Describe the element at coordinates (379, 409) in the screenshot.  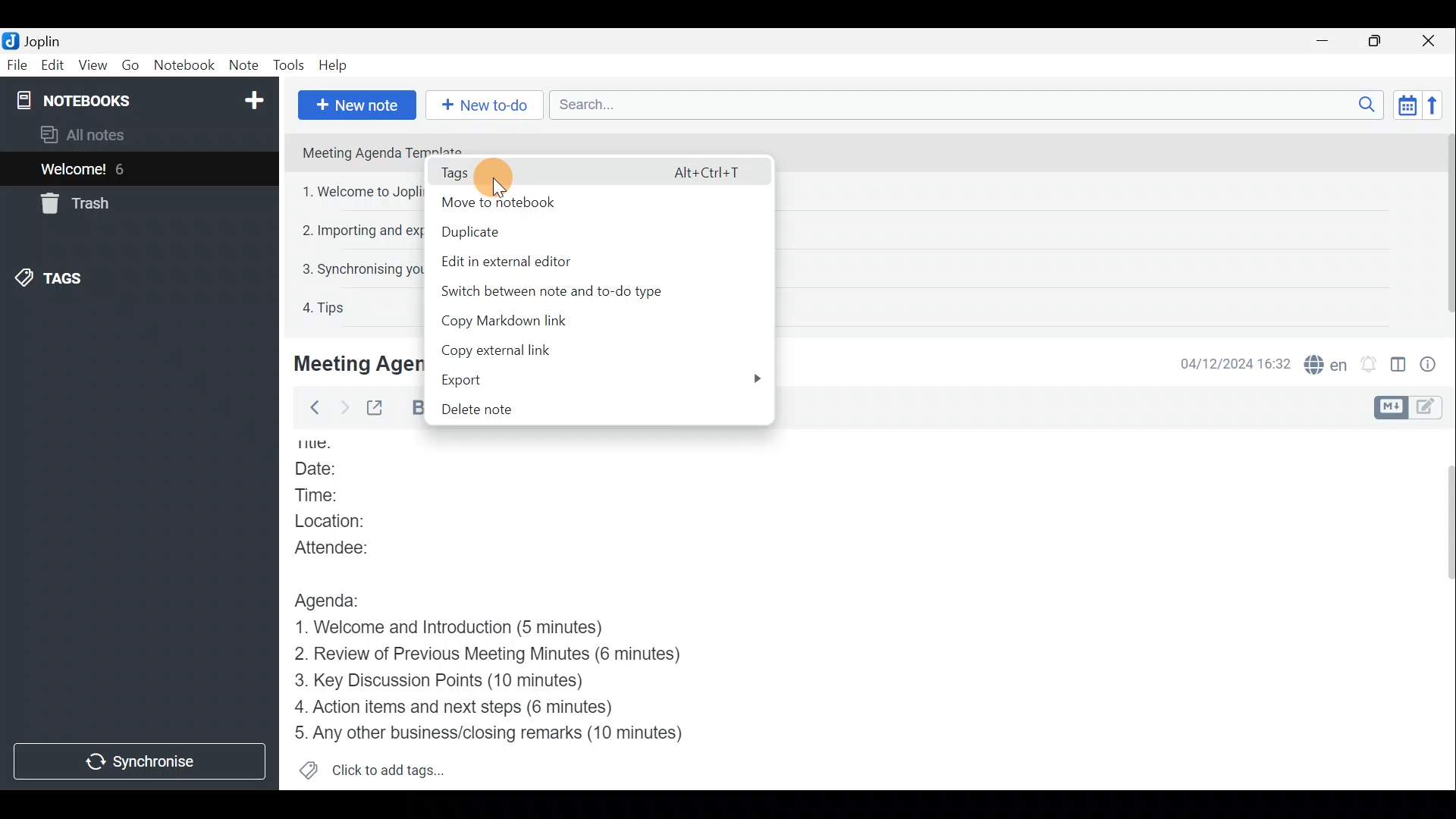
I see `Toggle external editing` at that location.